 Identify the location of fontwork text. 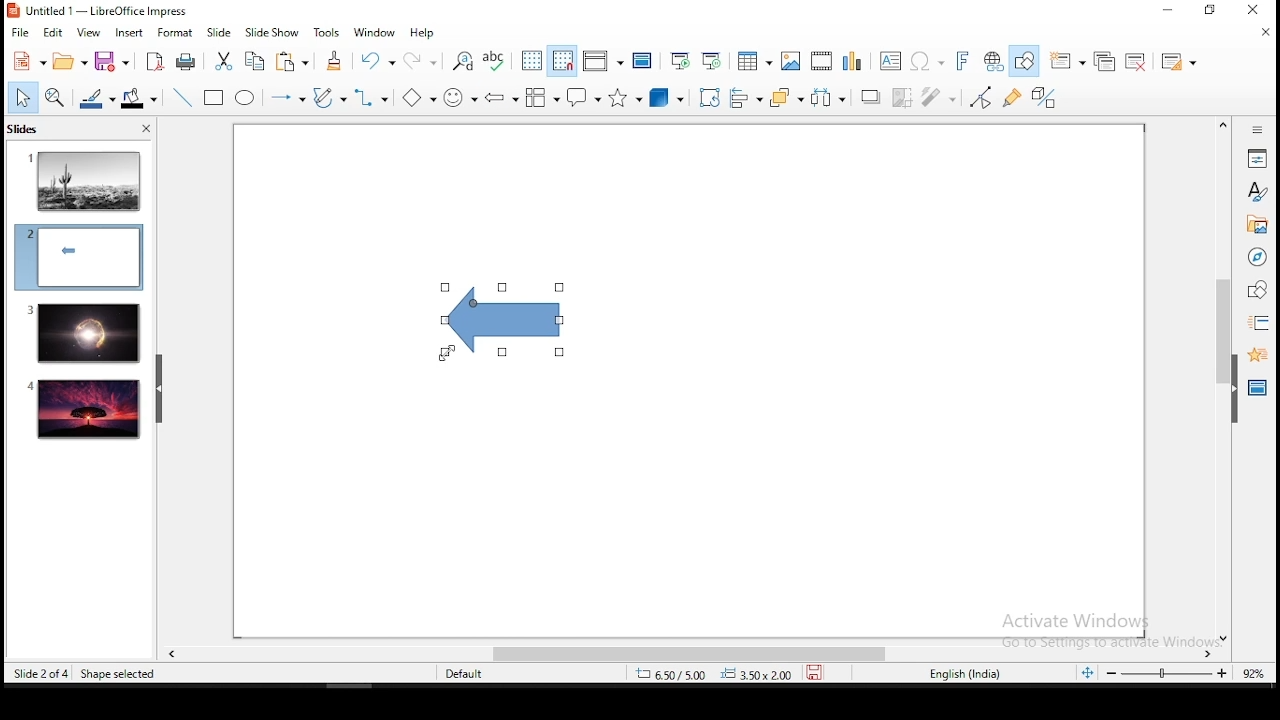
(961, 62).